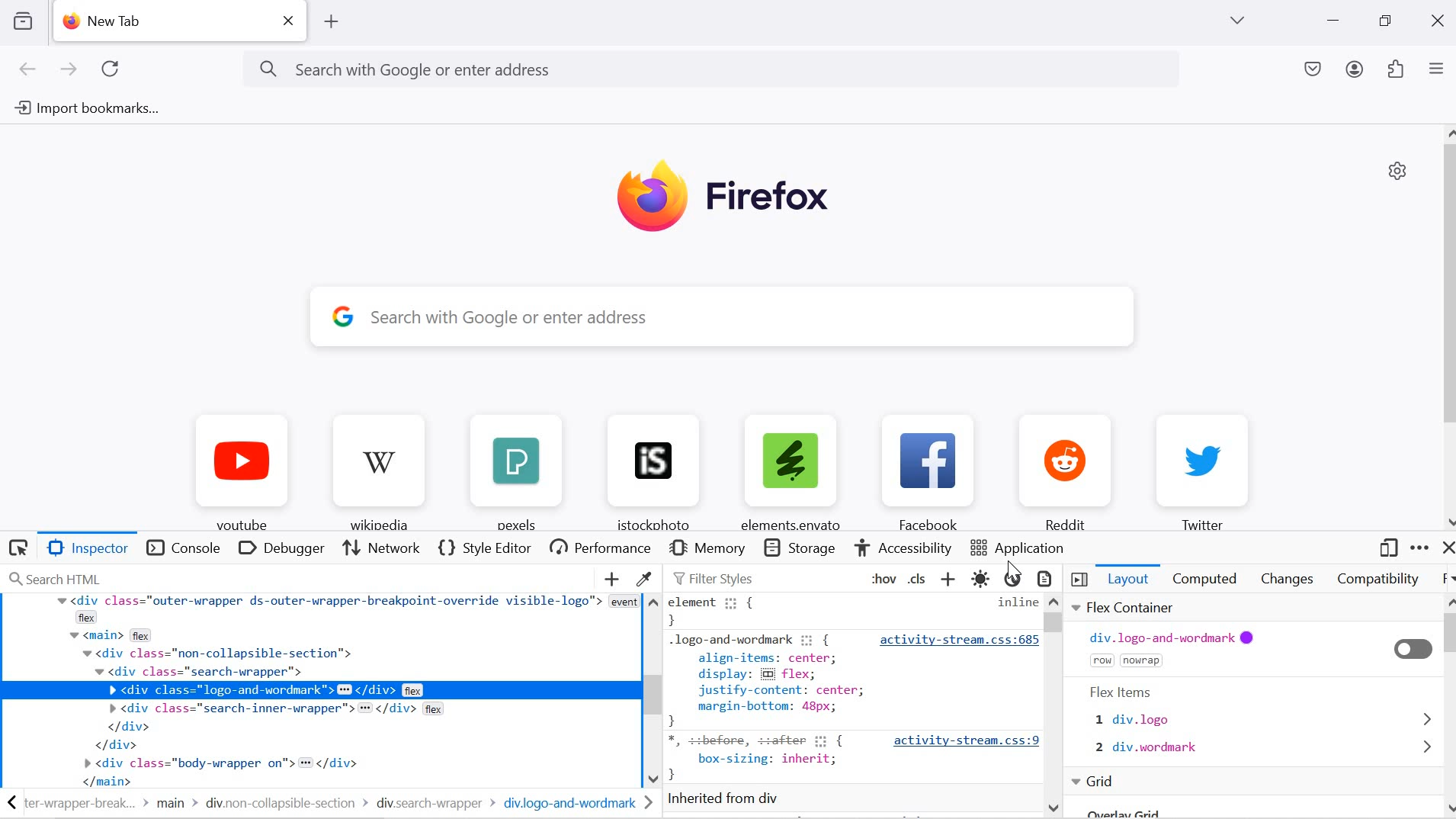 The width and height of the screenshot is (1456, 819). Describe the element at coordinates (1264, 720) in the screenshot. I see `1 div.logo` at that location.